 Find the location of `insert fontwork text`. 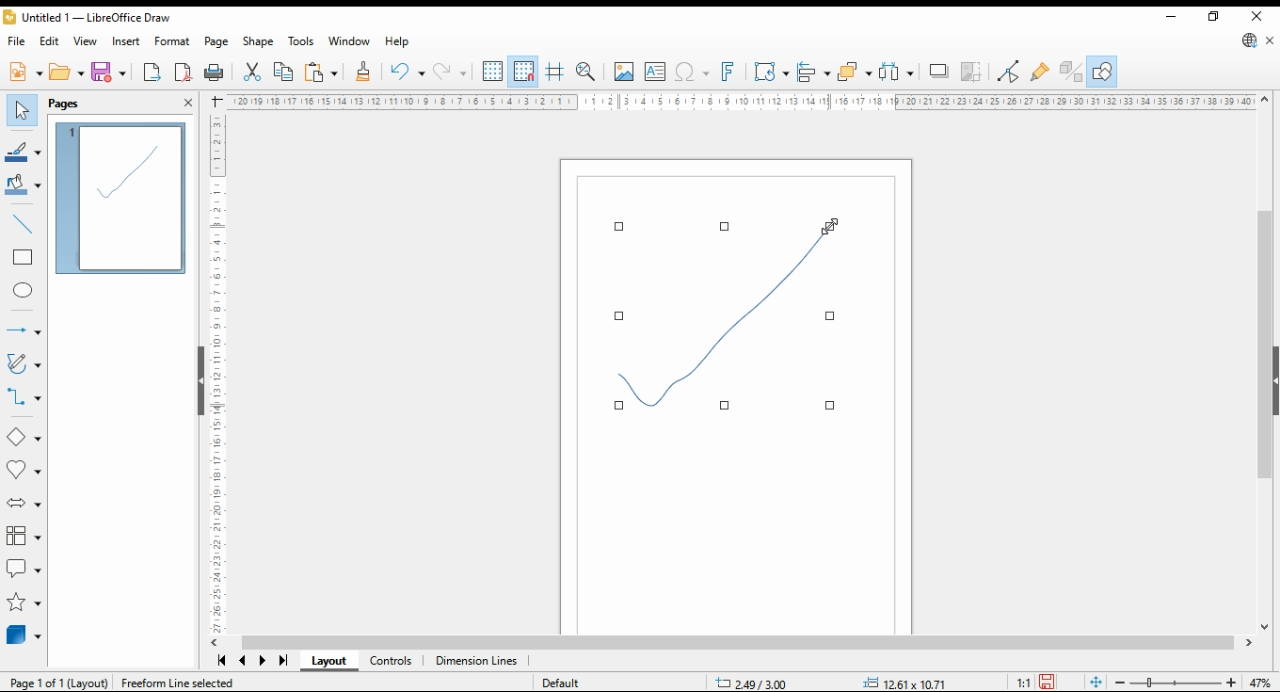

insert fontwork text is located at coordinates (727, 72).